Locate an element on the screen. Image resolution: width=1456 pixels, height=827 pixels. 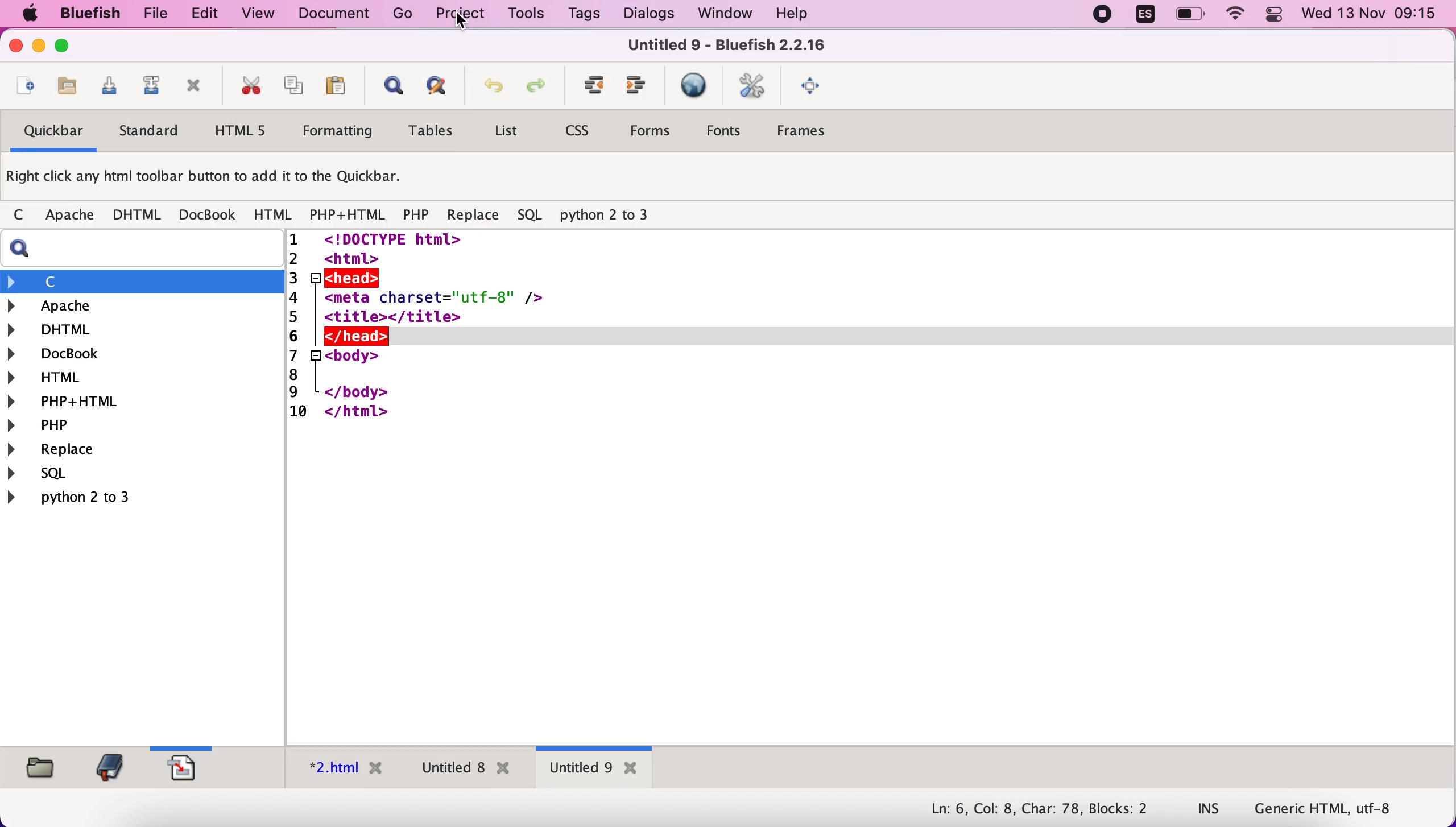
tools is located at coordinates (523, 15).